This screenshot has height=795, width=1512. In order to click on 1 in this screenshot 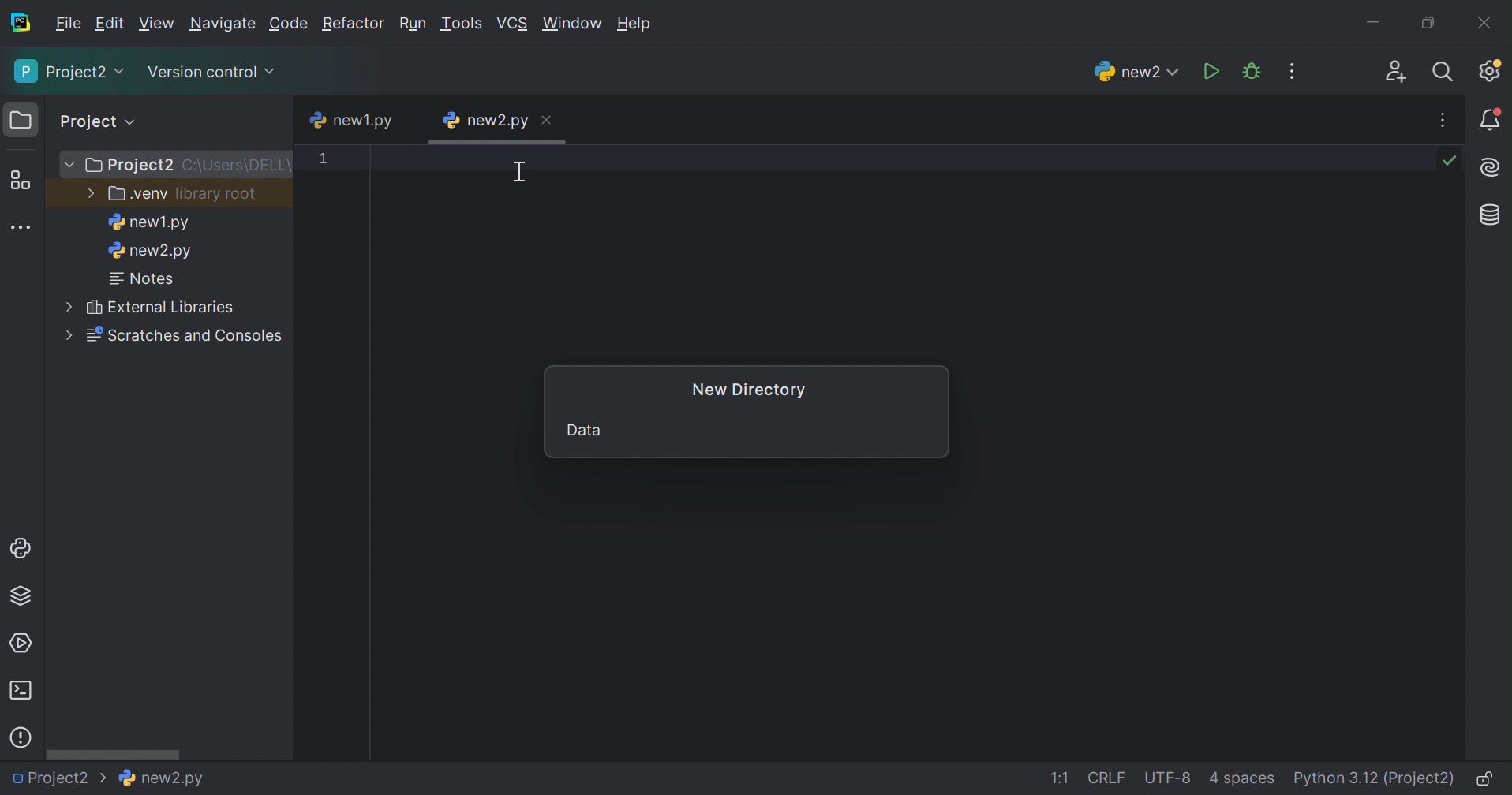, I will do `click(324, 161)`.